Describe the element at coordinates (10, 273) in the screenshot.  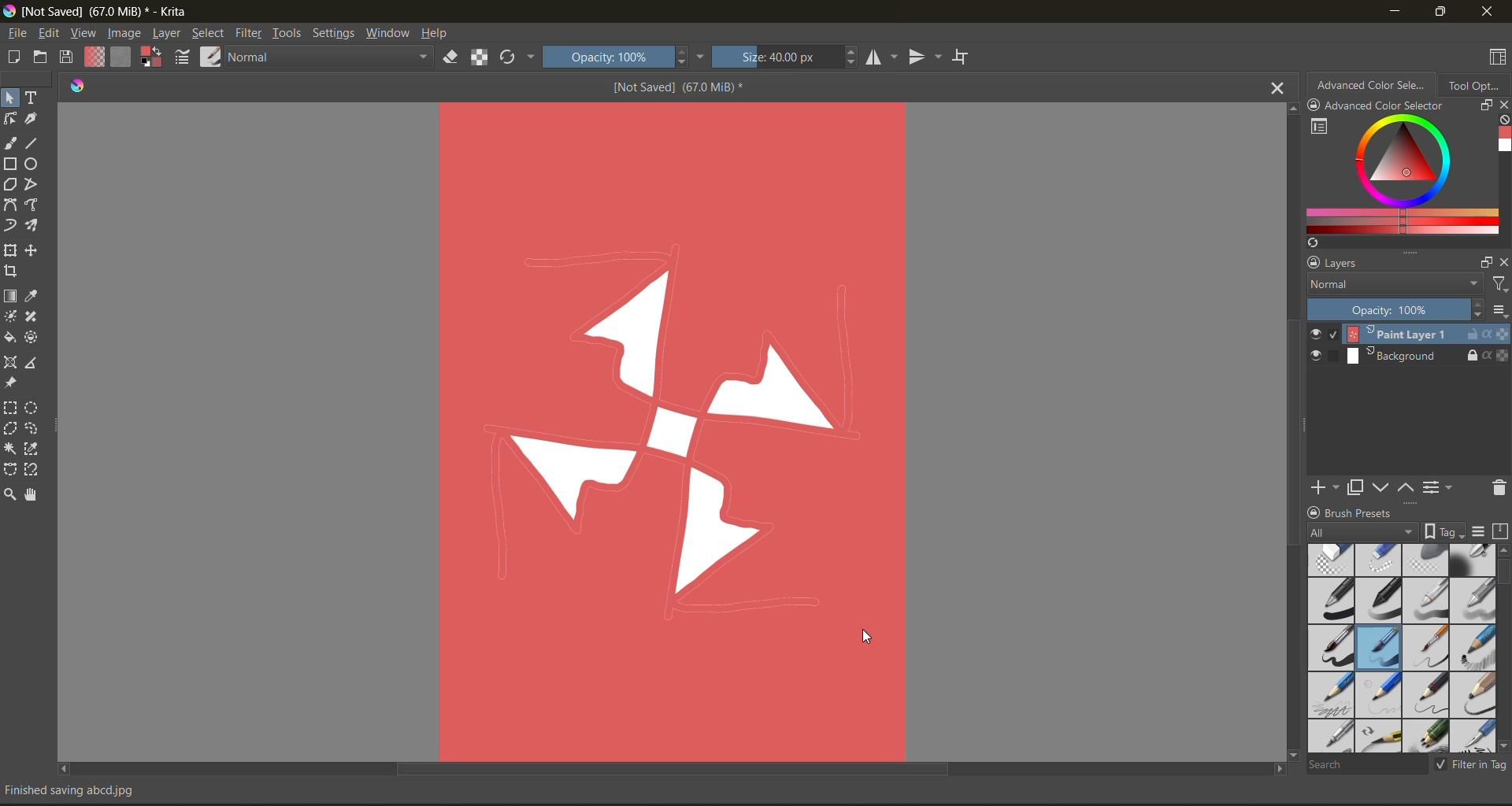
I see `tools` at that location.